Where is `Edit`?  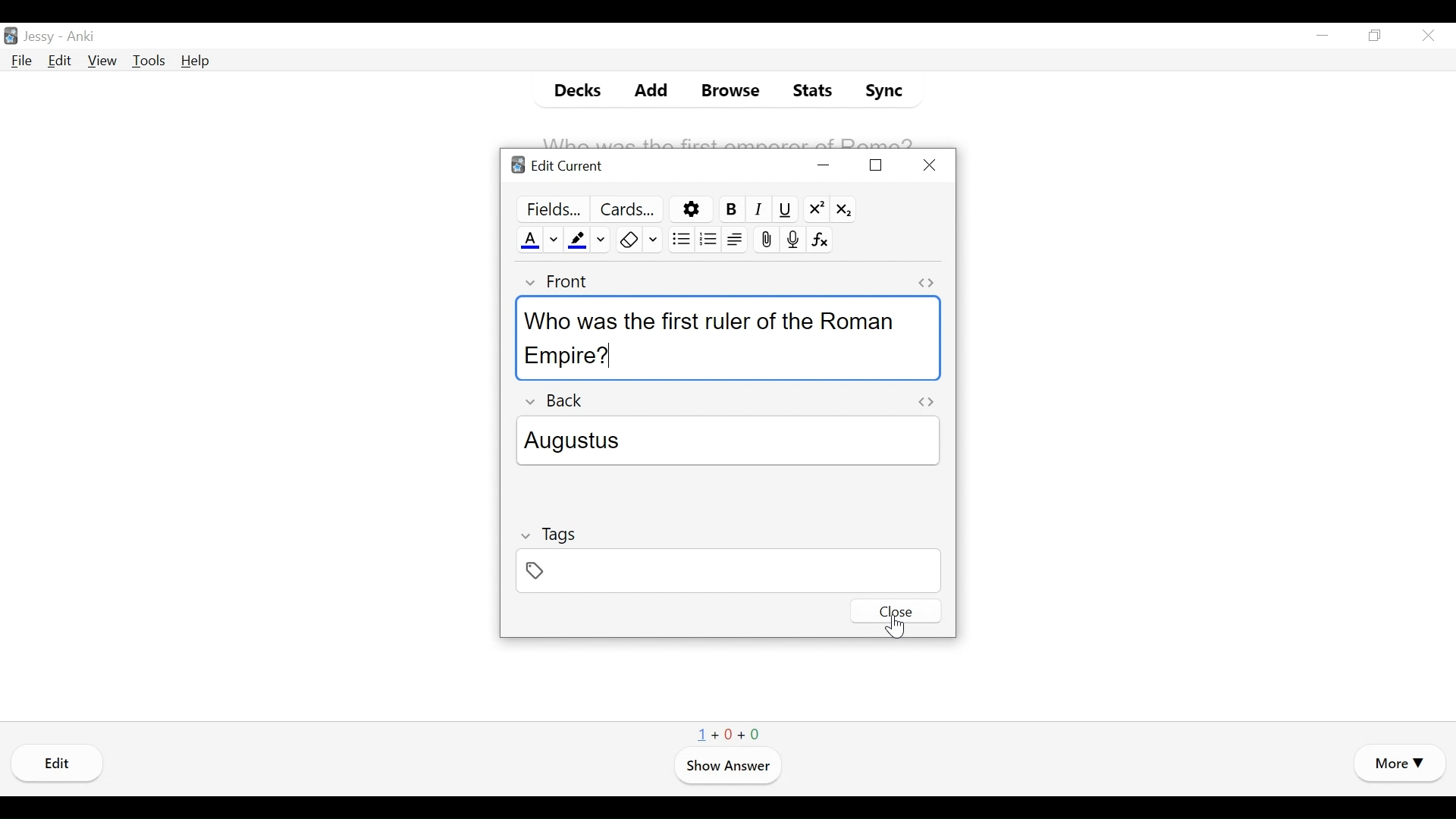 Edit is located at coordinates (60, 61).